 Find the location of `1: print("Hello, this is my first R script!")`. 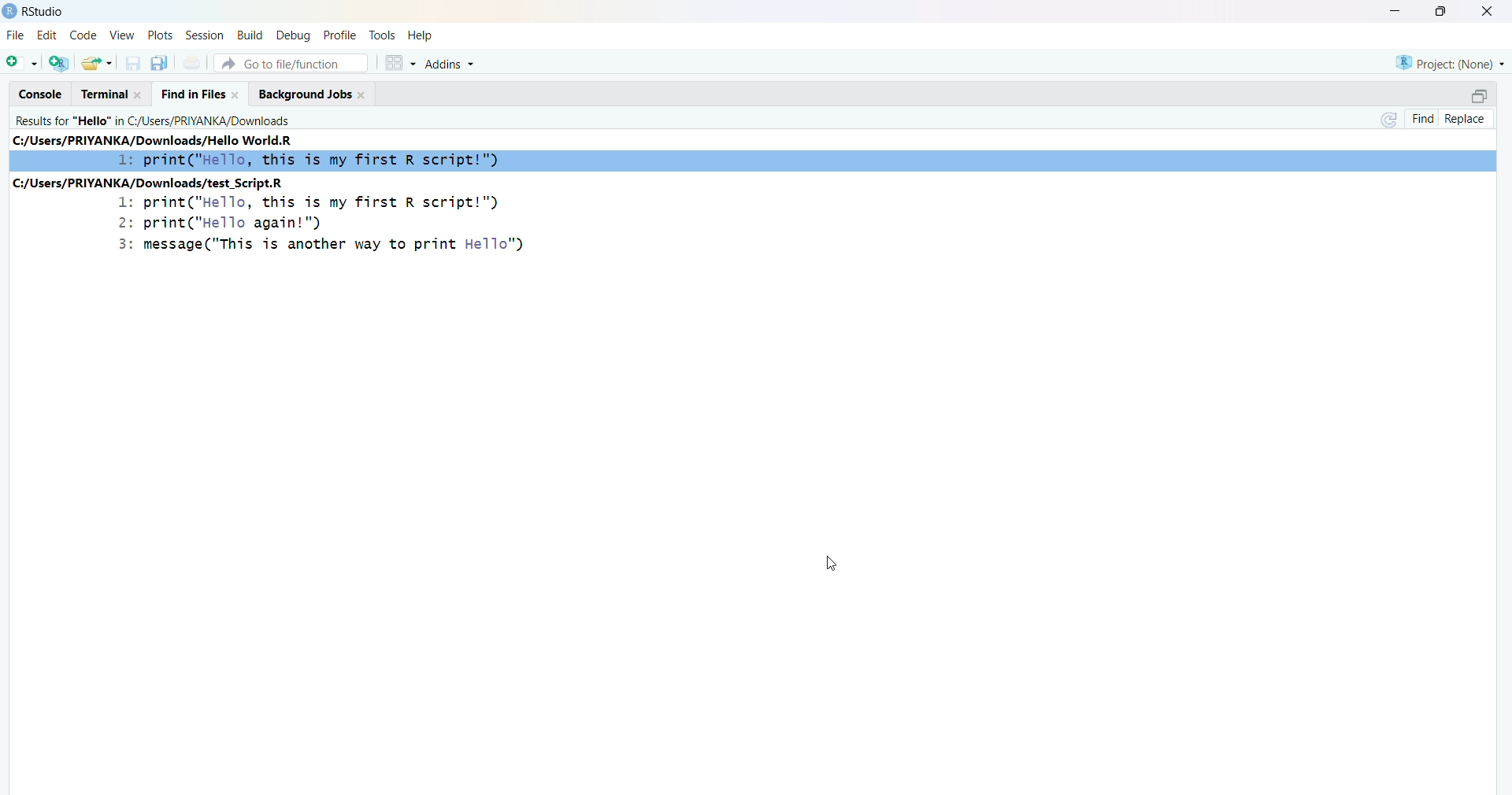

1: print("Hello, this is my first R script!") is located at coordinates (309, 161).